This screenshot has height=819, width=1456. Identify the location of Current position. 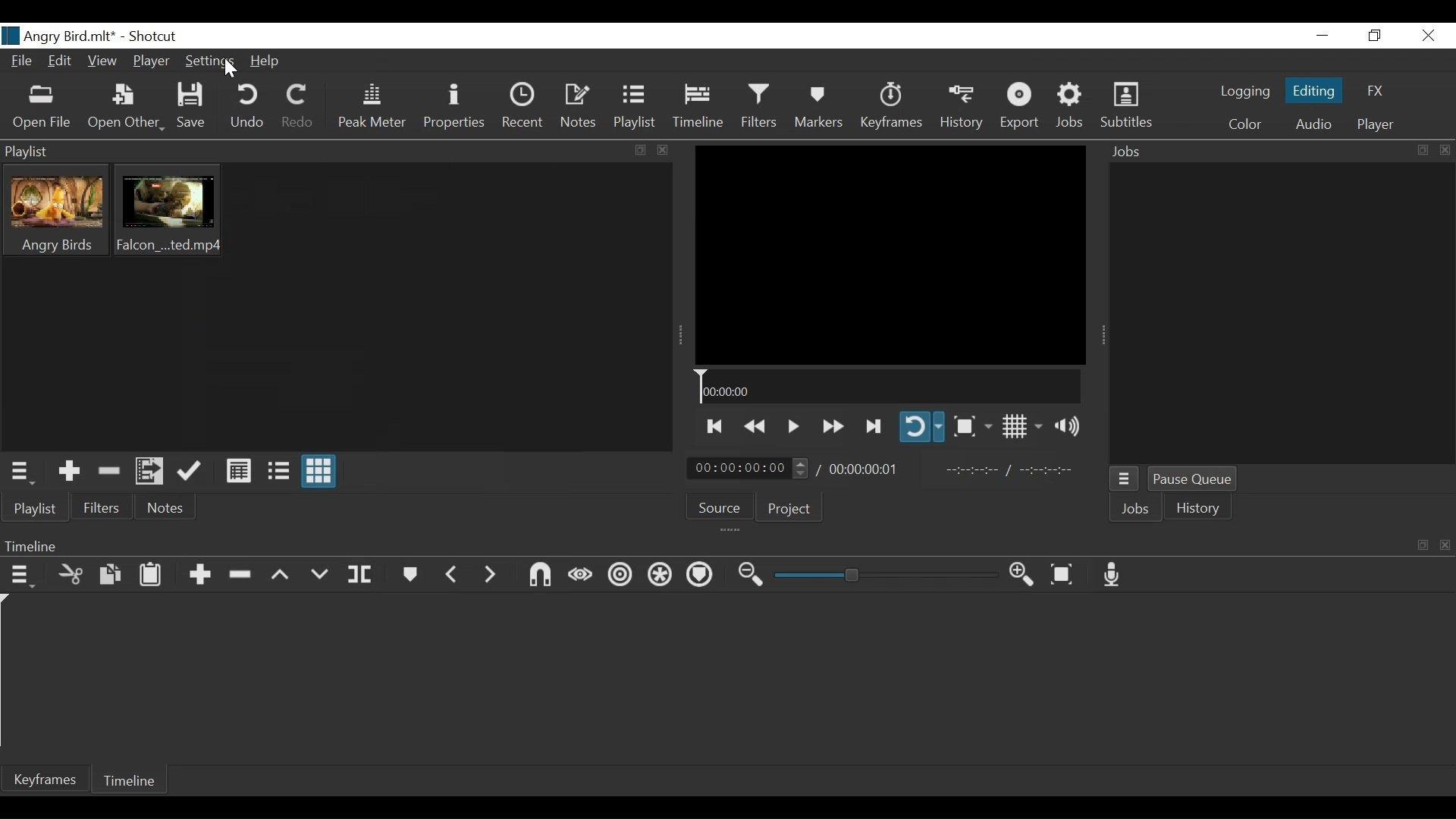
(748, 469).